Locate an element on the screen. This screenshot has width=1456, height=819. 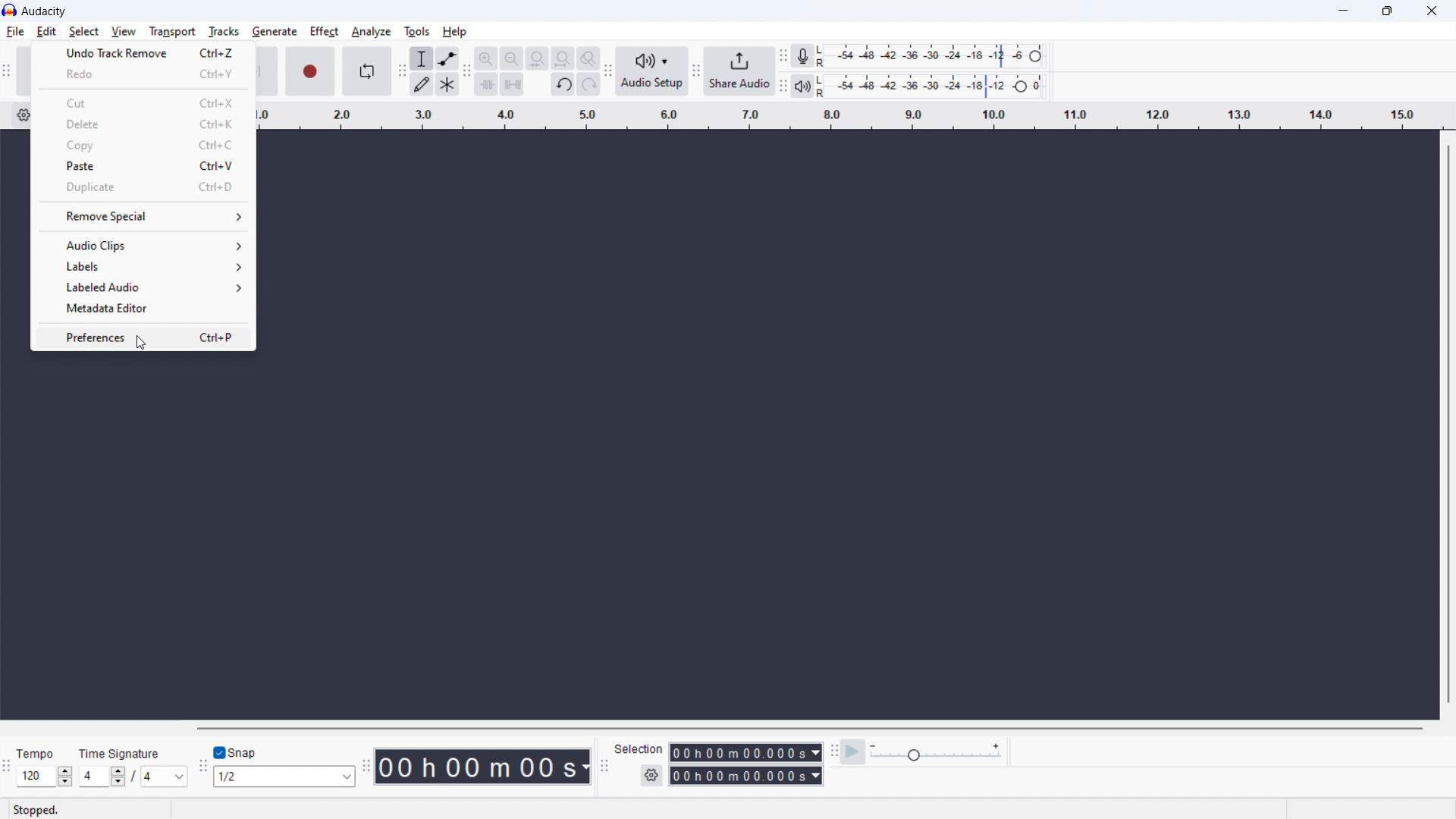
labeled audio is located at coordinates (142, 287).